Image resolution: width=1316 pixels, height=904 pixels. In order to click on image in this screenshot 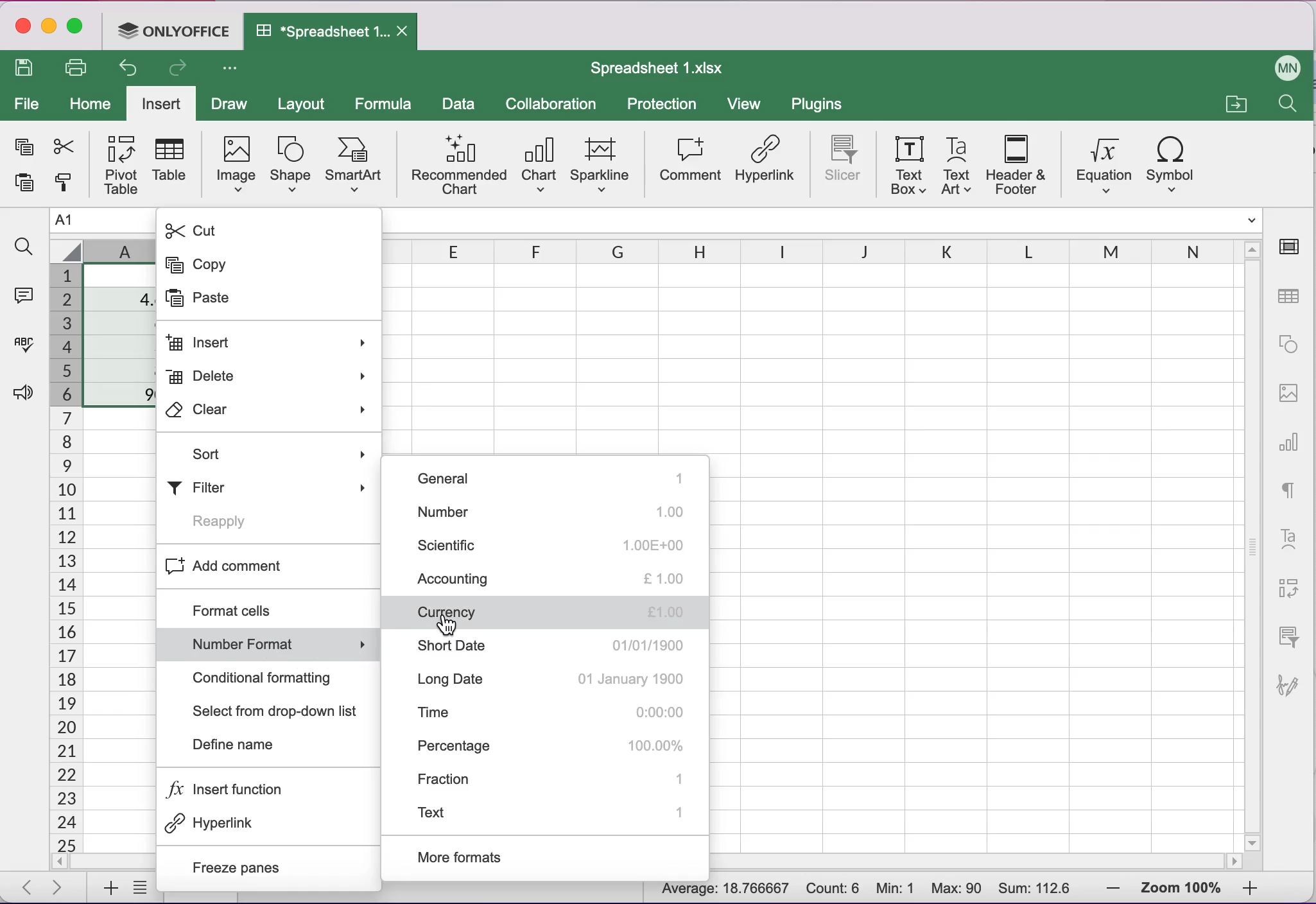, I will do `click(235, 166)`.